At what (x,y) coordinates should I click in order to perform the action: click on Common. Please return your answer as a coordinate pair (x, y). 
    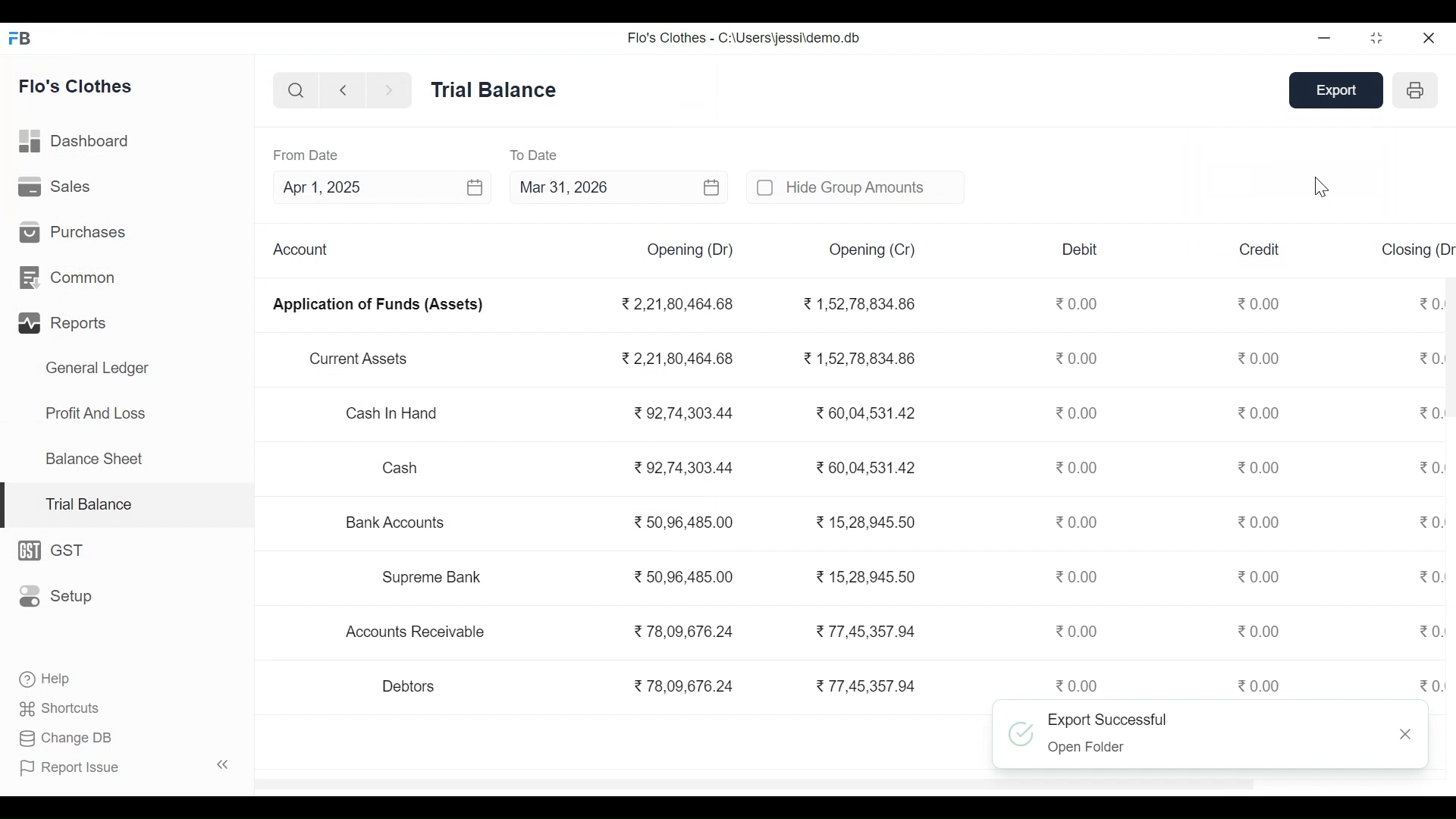
    Looking at the image, I should click on (70, 276).